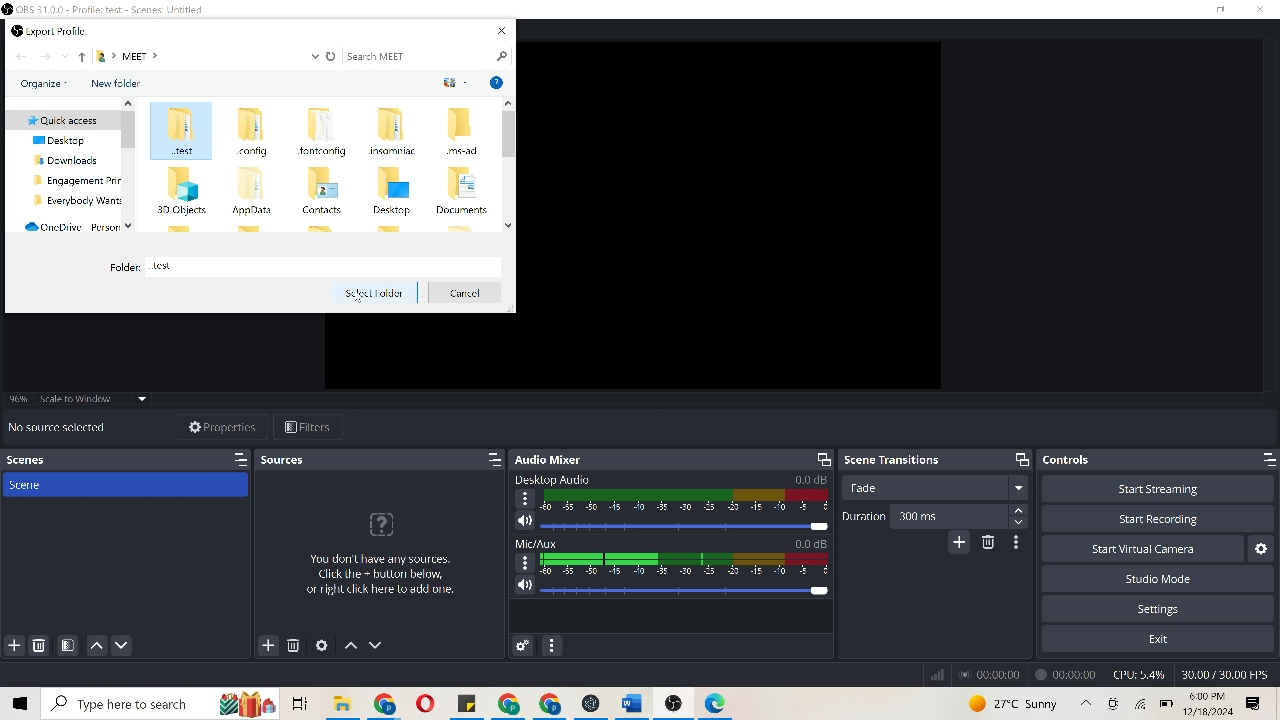  What do you see at coordinates (1260, 10) in the screenshot?
I see `close` at bounding box center [1260, 10].